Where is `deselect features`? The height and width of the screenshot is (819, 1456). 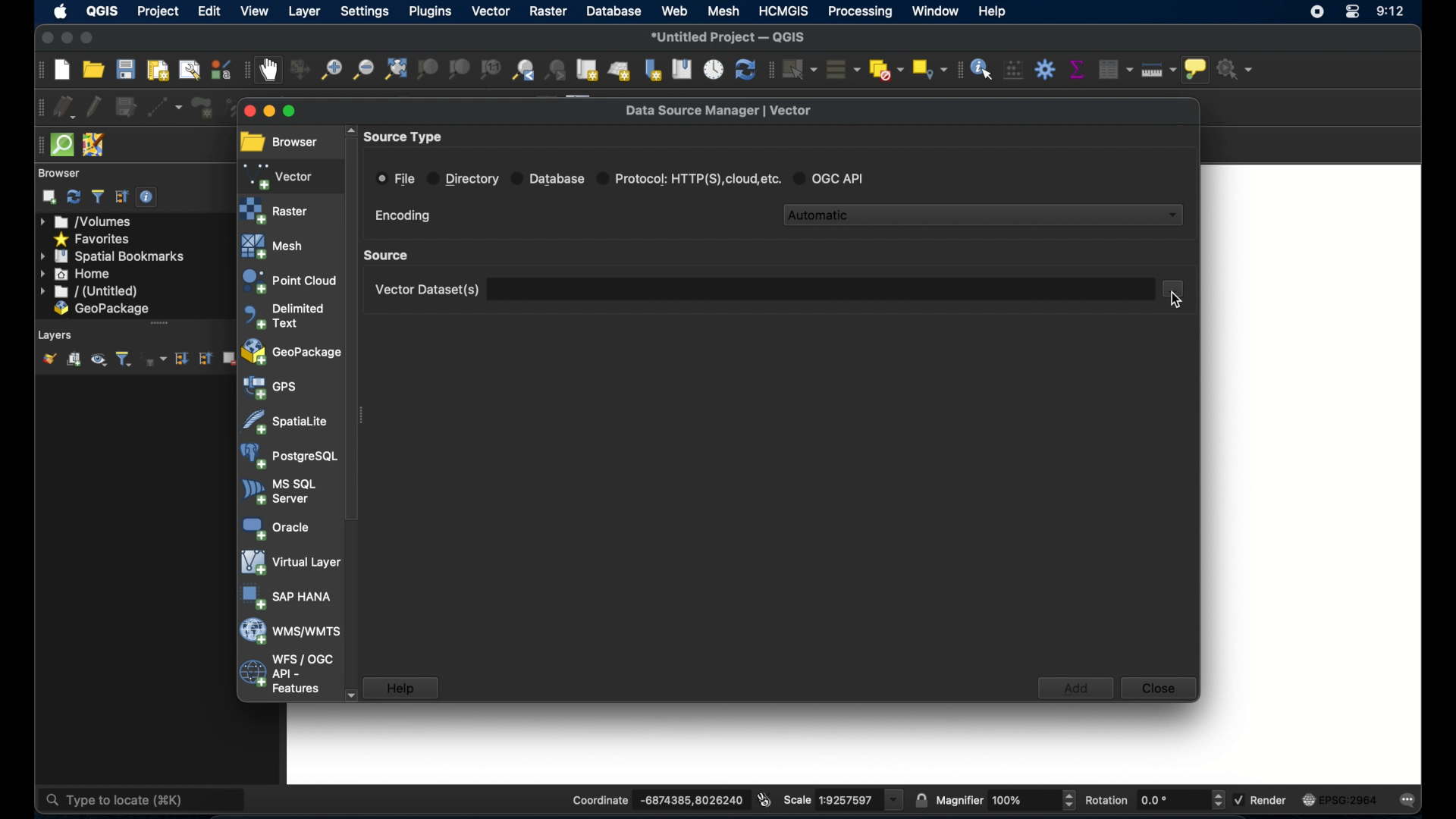
deselect features is located at coordinates (886, 67).